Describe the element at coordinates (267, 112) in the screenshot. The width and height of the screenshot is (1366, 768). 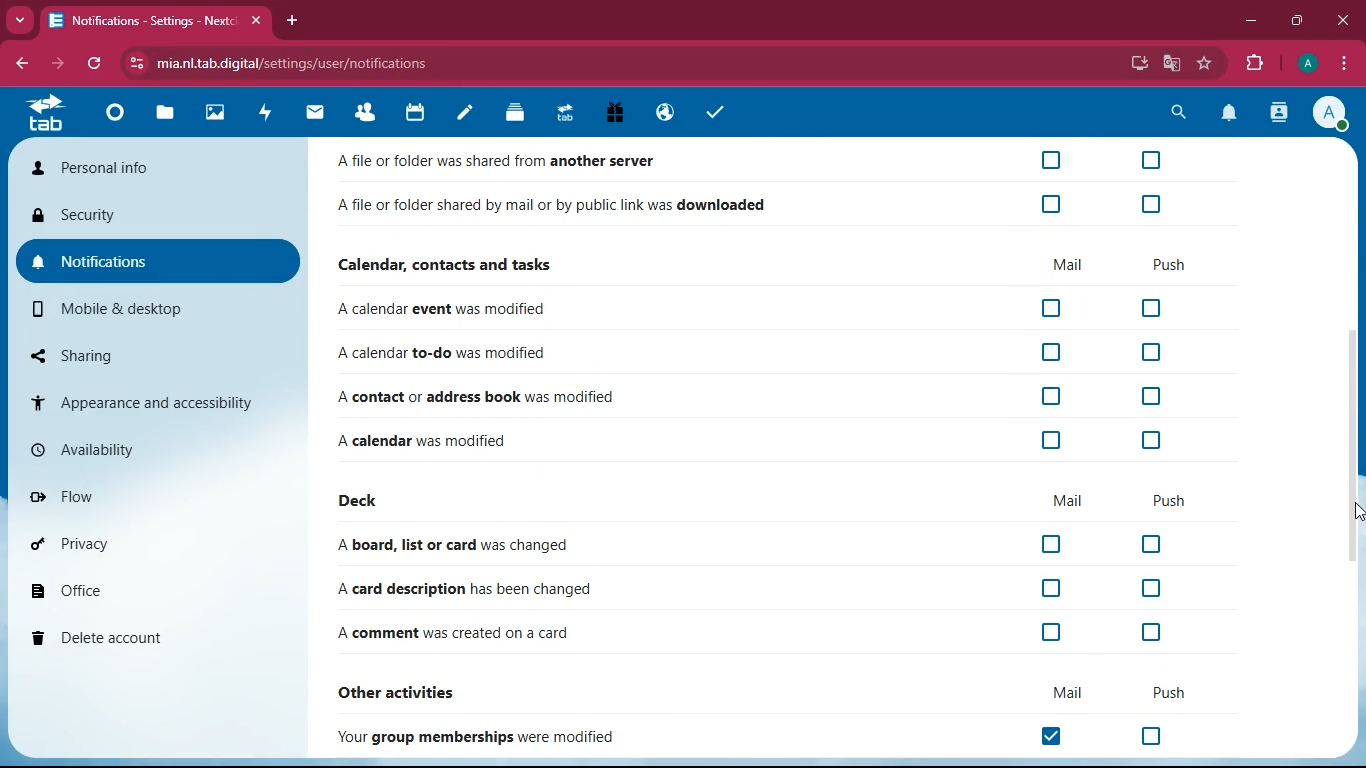
I see `activity` at that location.